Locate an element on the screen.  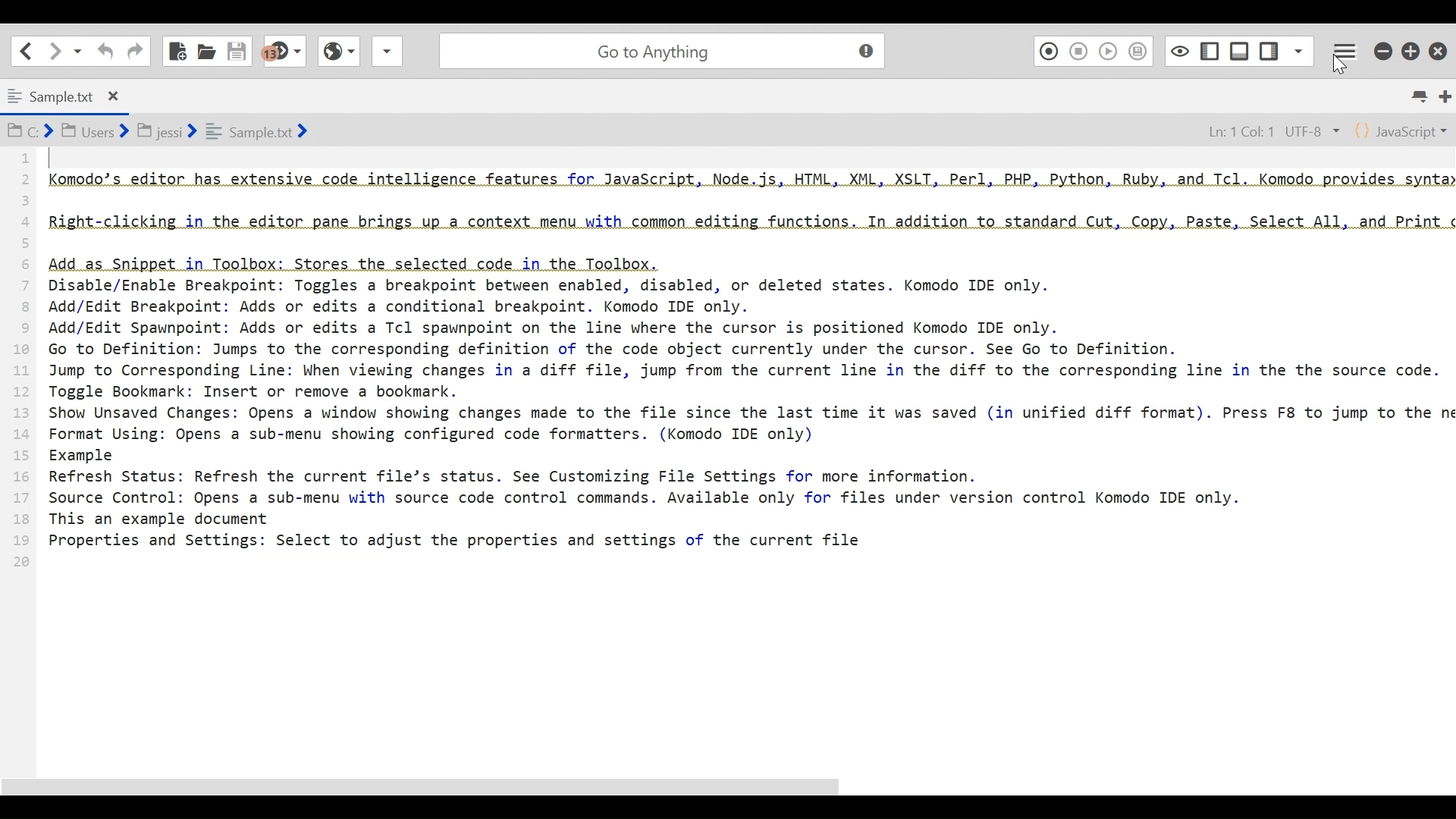
Save File is located at coordinates (239, 49).